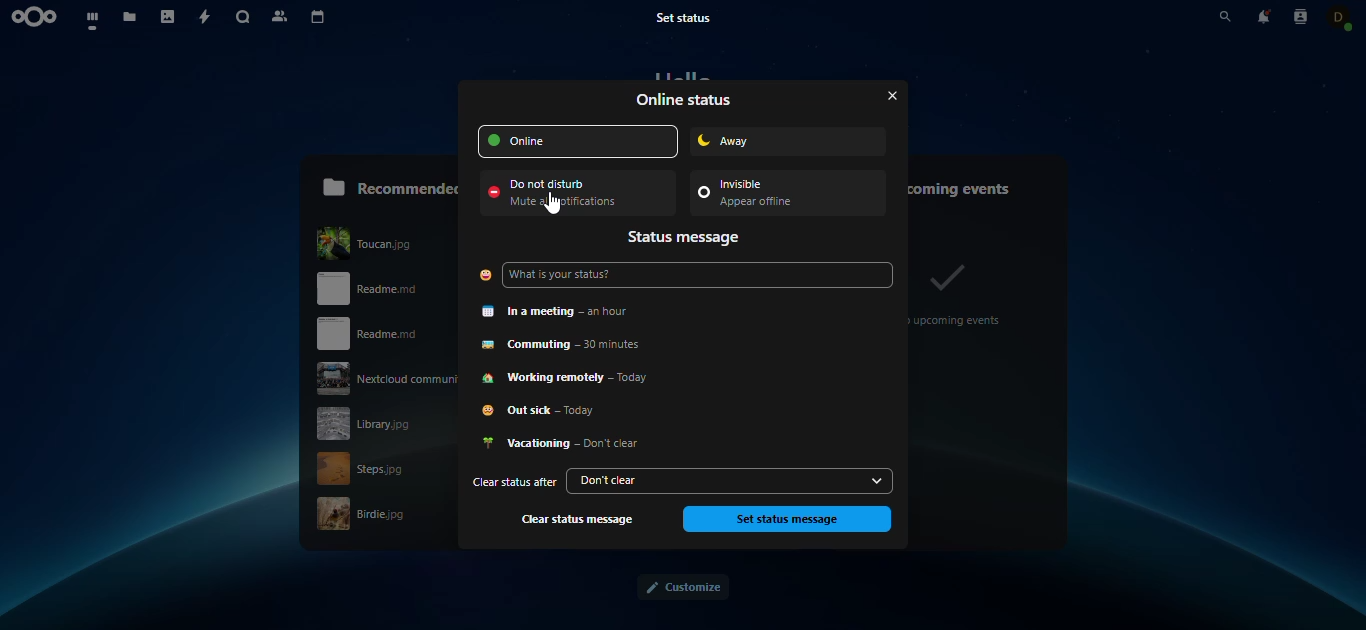 The height and width of the screenshot is (630, 1366). I want to click on no upcoming events, so click(959, 292).